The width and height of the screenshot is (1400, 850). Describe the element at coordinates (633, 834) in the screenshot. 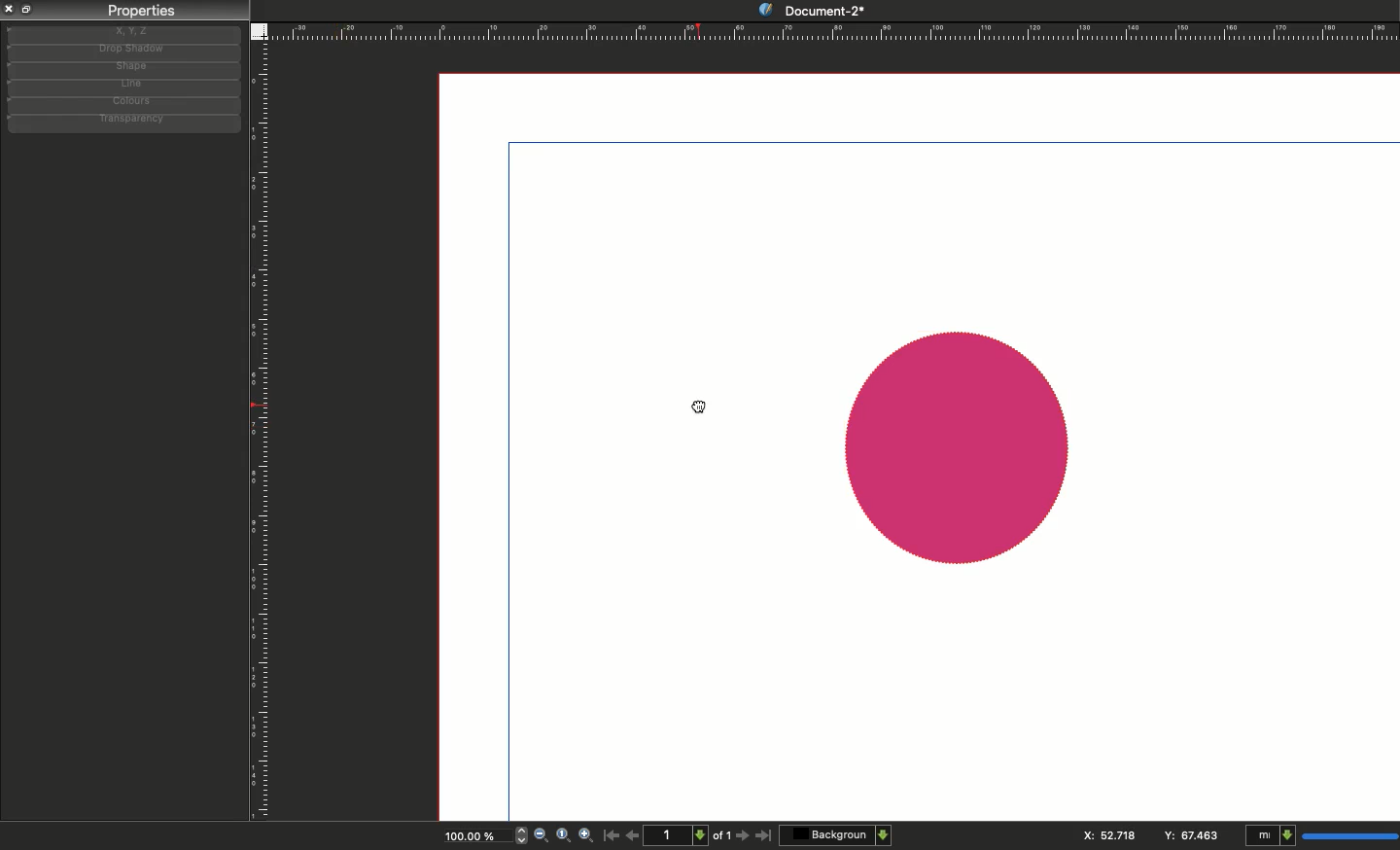

I see `Previous page` at that location.